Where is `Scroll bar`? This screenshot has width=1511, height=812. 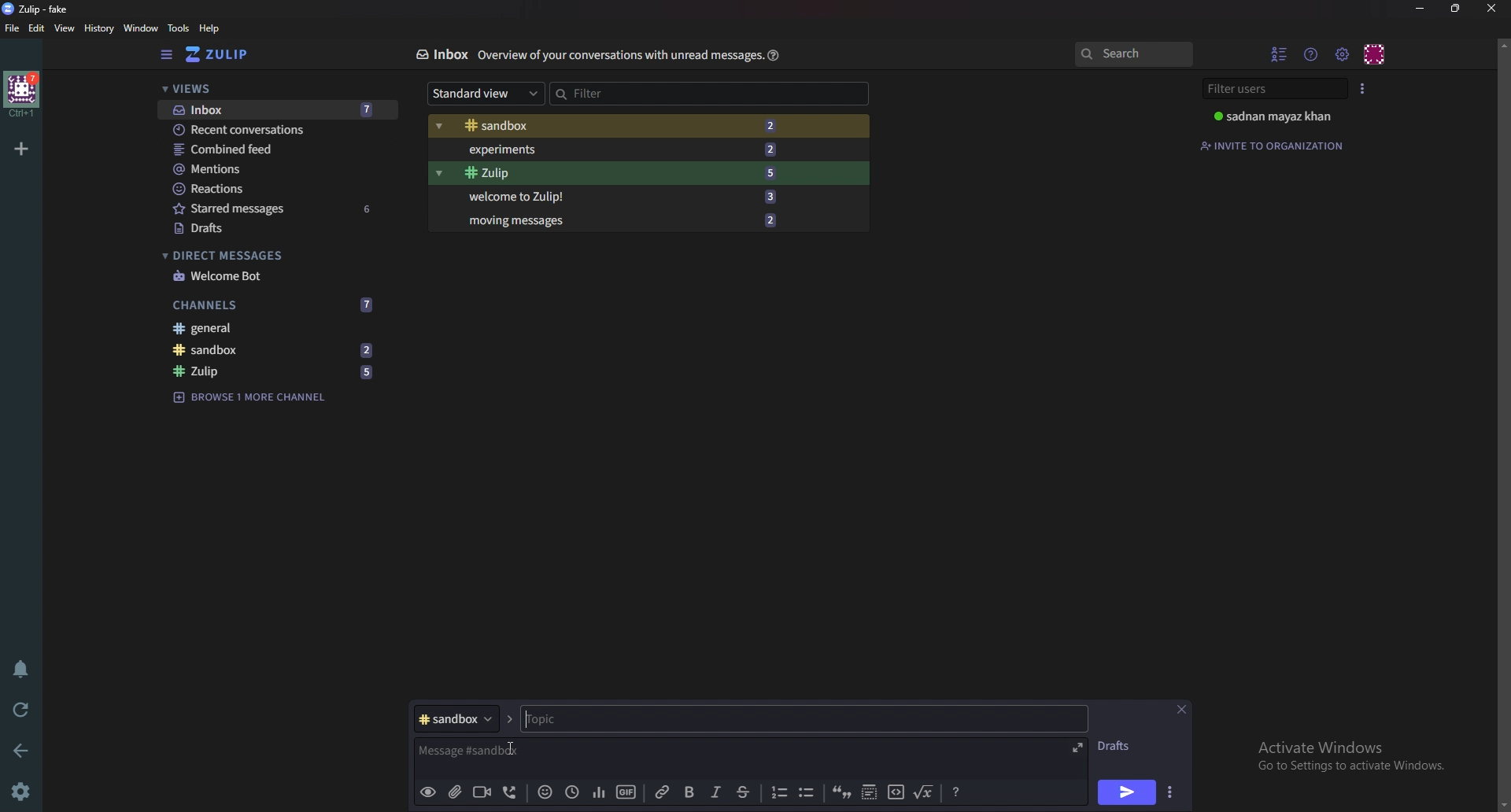
Scroll bar is located at coordinates (1502, 424).